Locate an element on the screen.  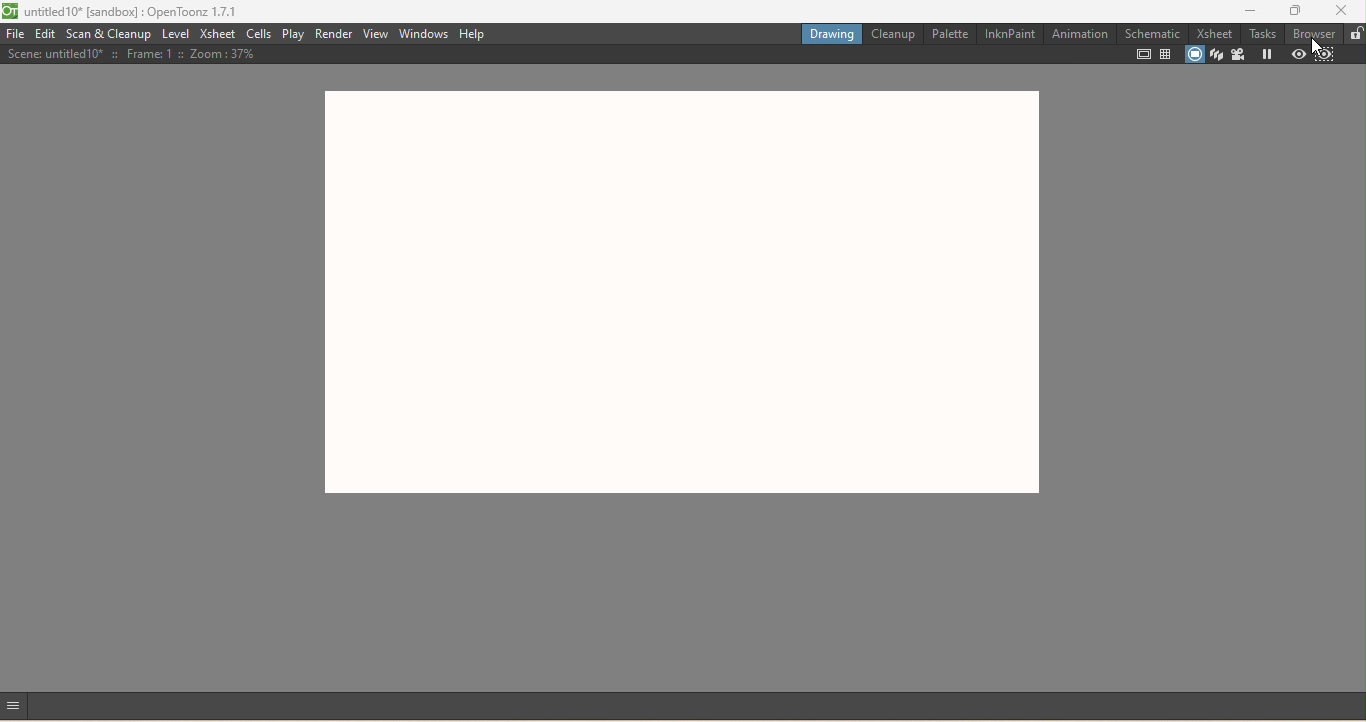
Preview is located at coordinates (1295, 54).